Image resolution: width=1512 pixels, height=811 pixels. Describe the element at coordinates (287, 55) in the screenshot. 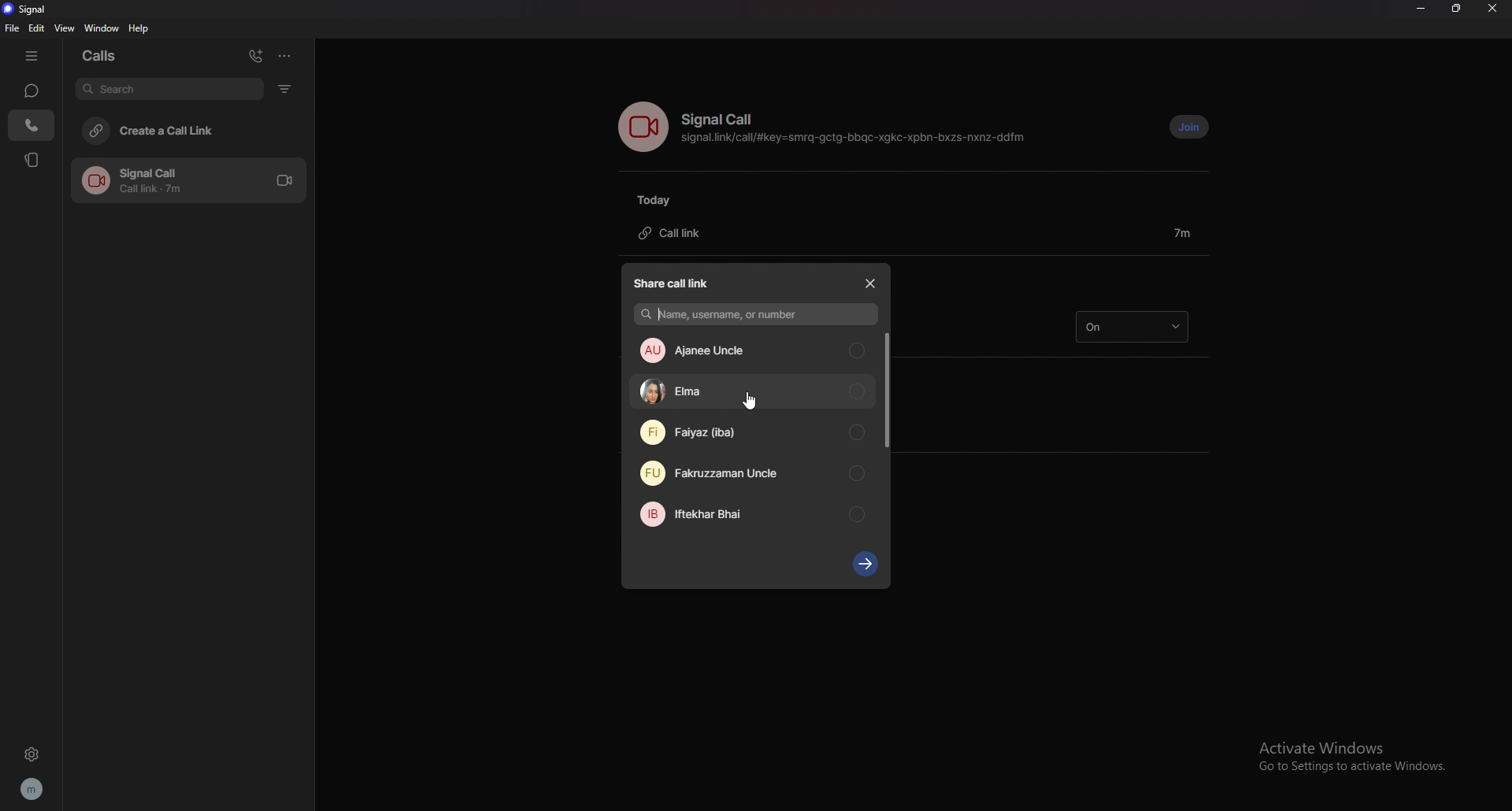

I see `options` at that location.